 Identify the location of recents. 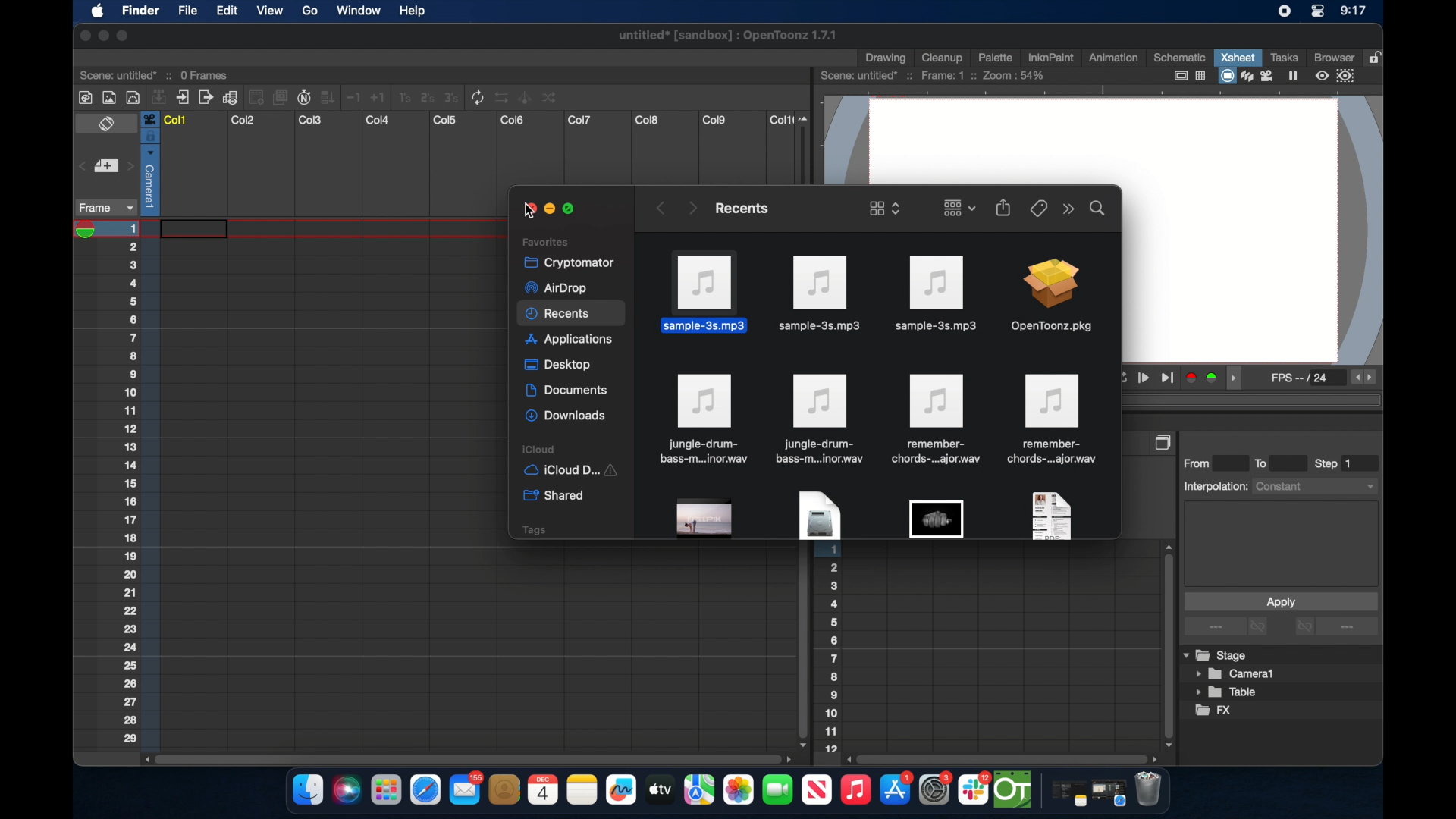
(740, 208).